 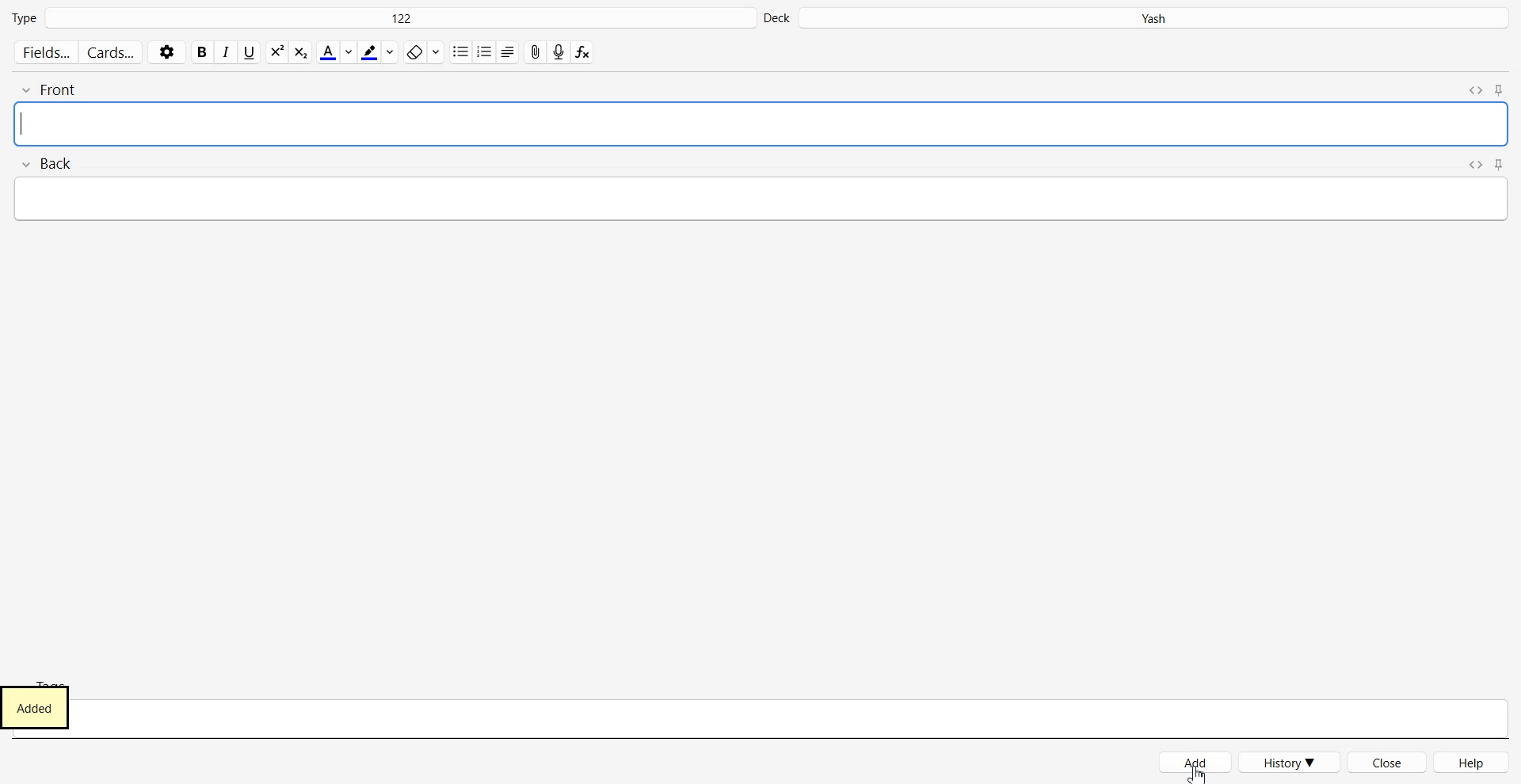 I want to click on Back, so click(x=761, y=190).